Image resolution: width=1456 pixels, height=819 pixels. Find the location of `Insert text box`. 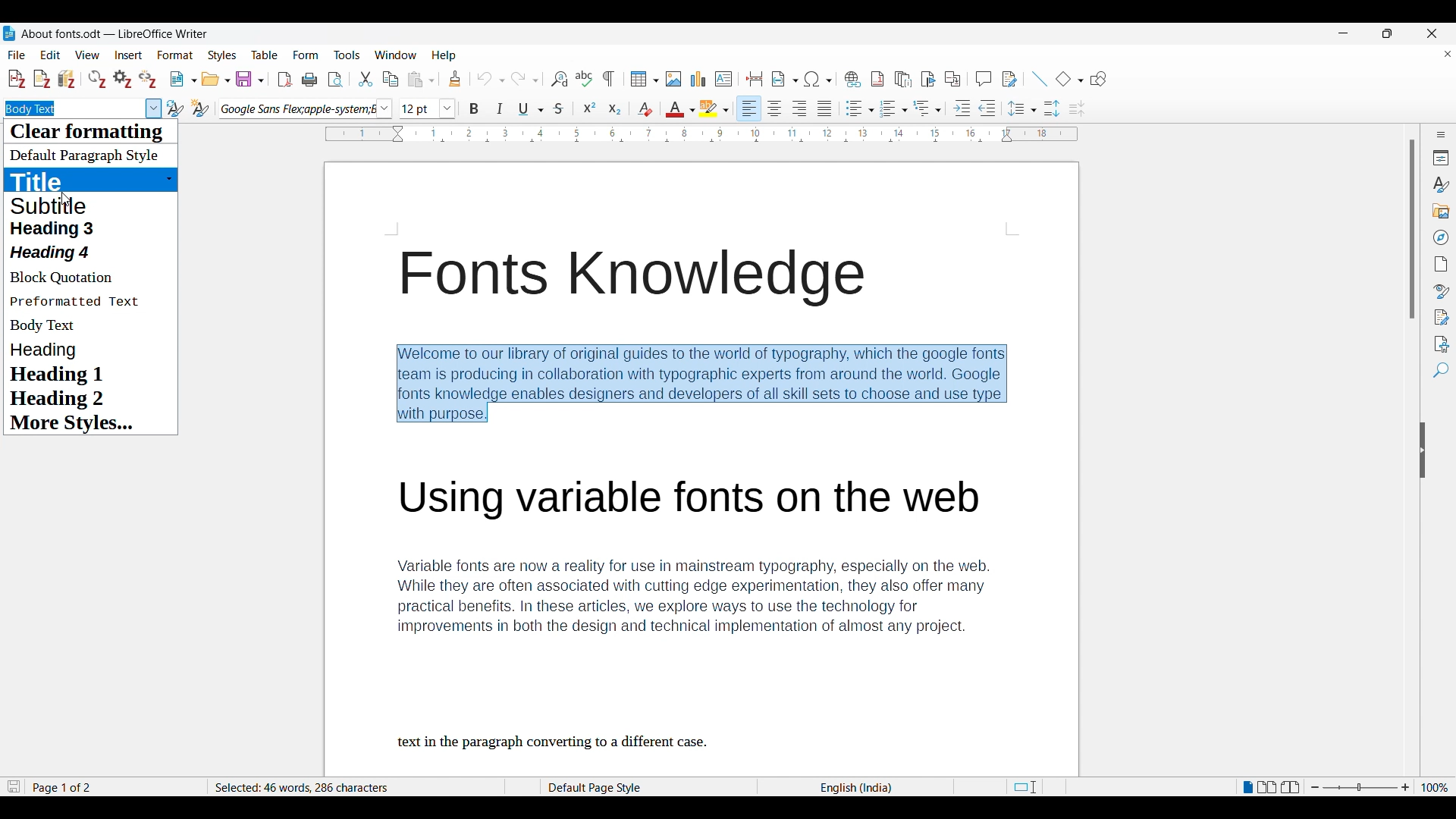

Insert text box is located at coordinates (723, 79).